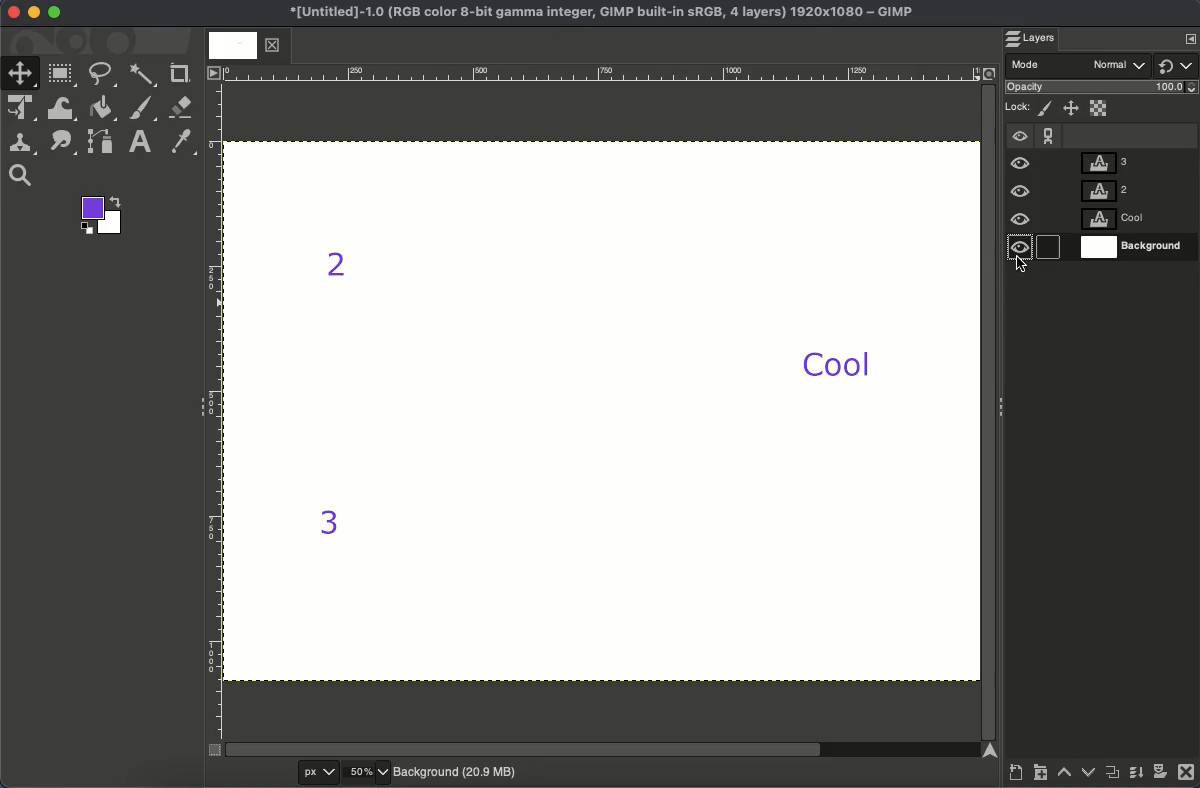 This screenshot has height=788, width=1200. Describe the element at coordinates (106, 74) in the screenshot. I see `Free select` at that location.